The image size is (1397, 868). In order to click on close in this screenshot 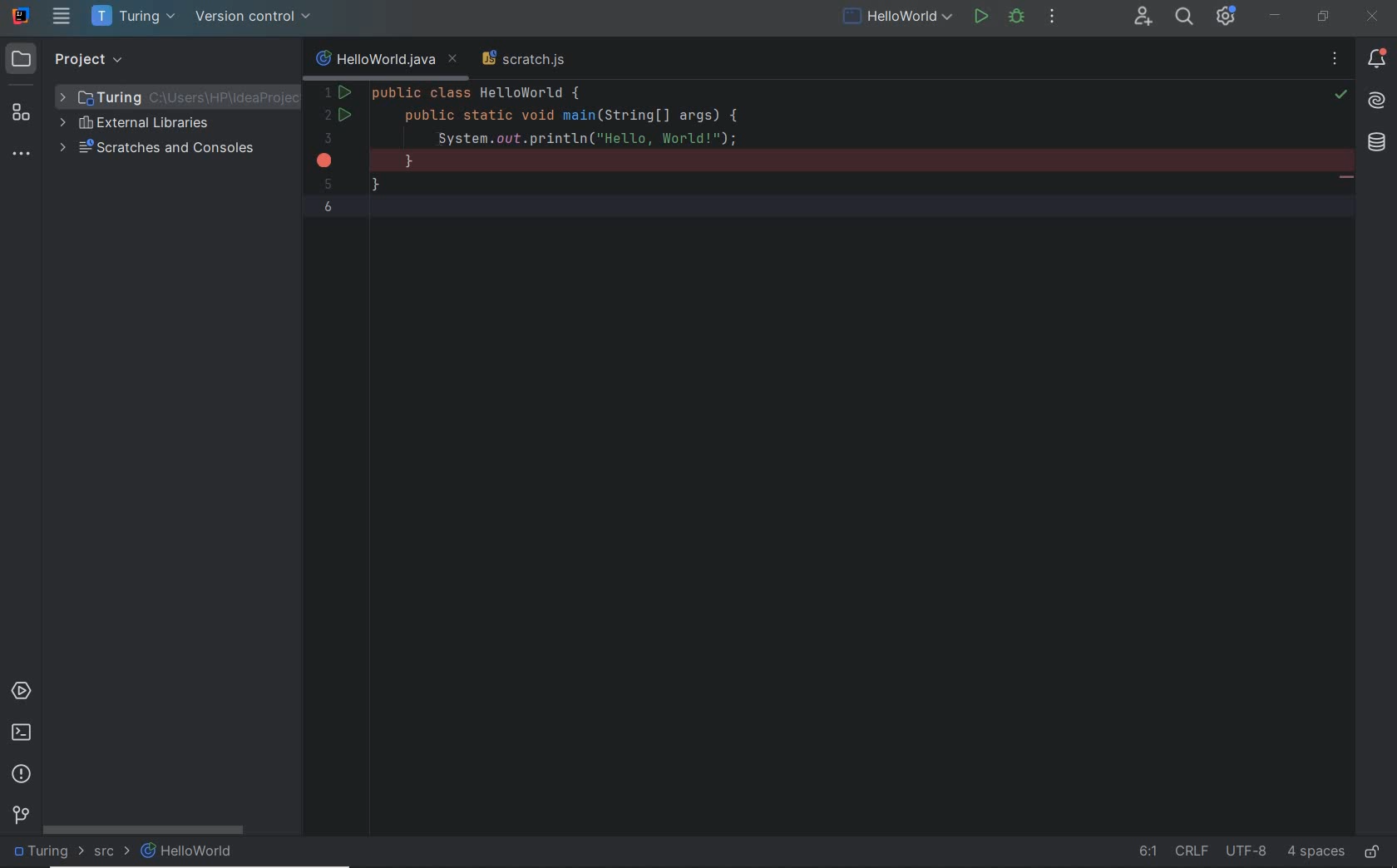, I will do `click(1373, 17)`.